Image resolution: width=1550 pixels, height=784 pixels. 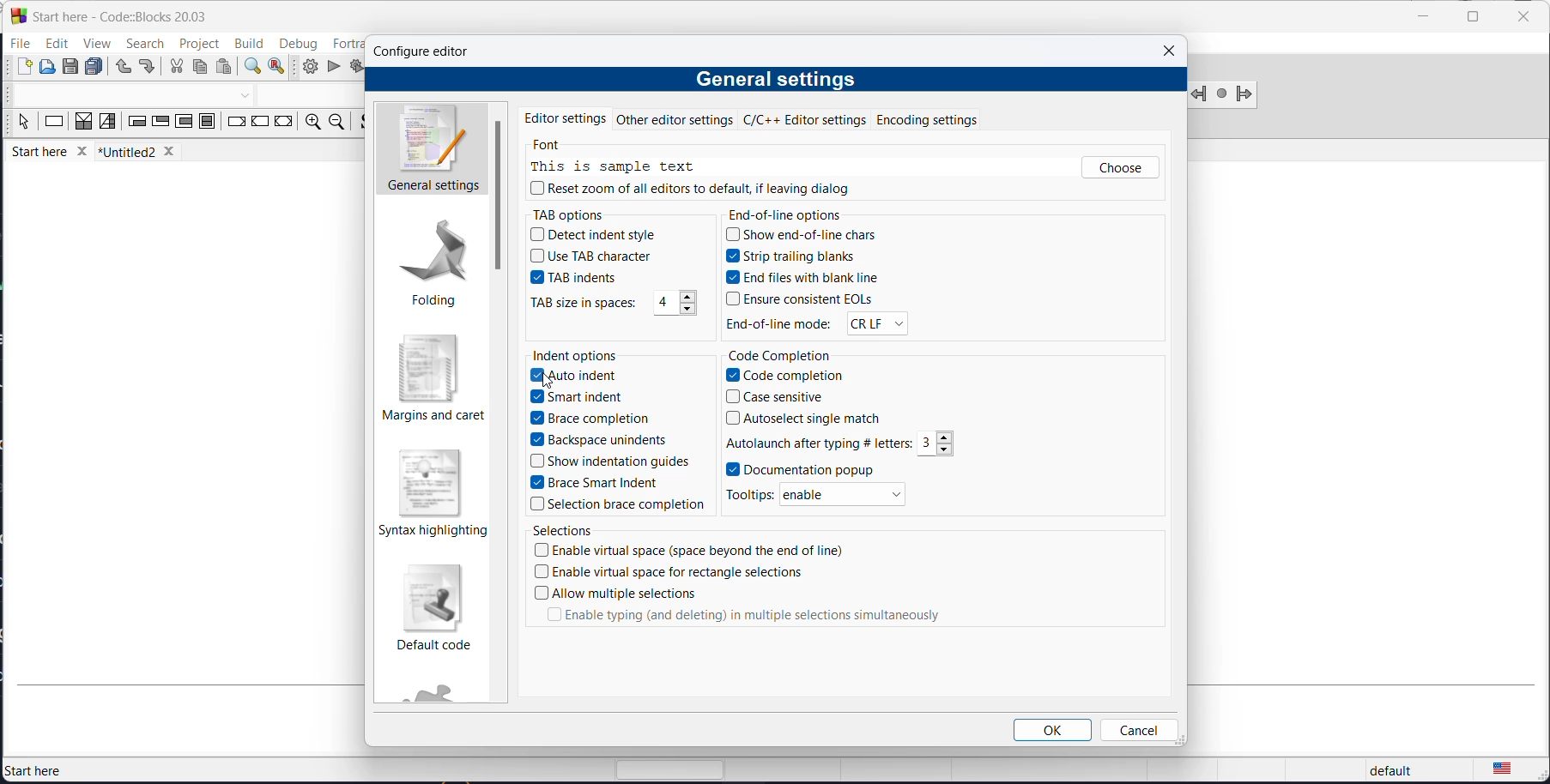 What do you see at coordinates (783, 78) in the screenshot?
I see `general settings` at bounding box center [783, 78].